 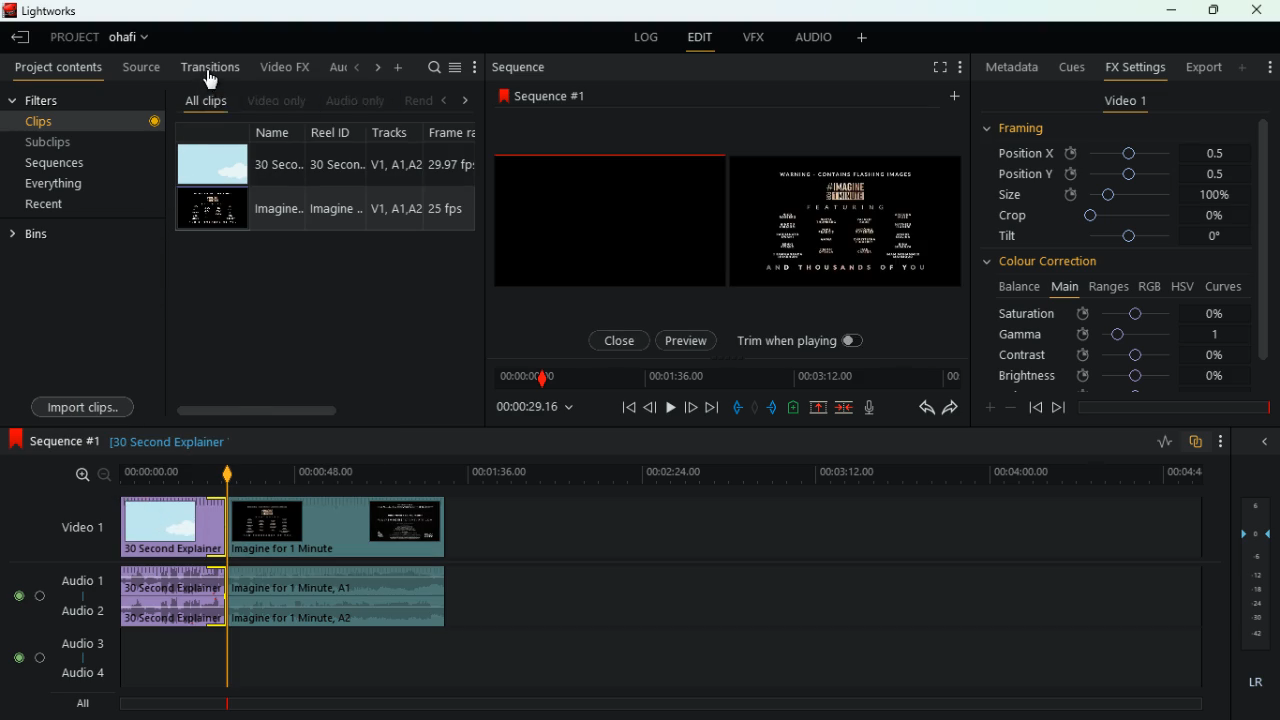 What do you see at coordinates (940, 69) in the screenshot?
I see `full screen` at bounding box center [940, 69].